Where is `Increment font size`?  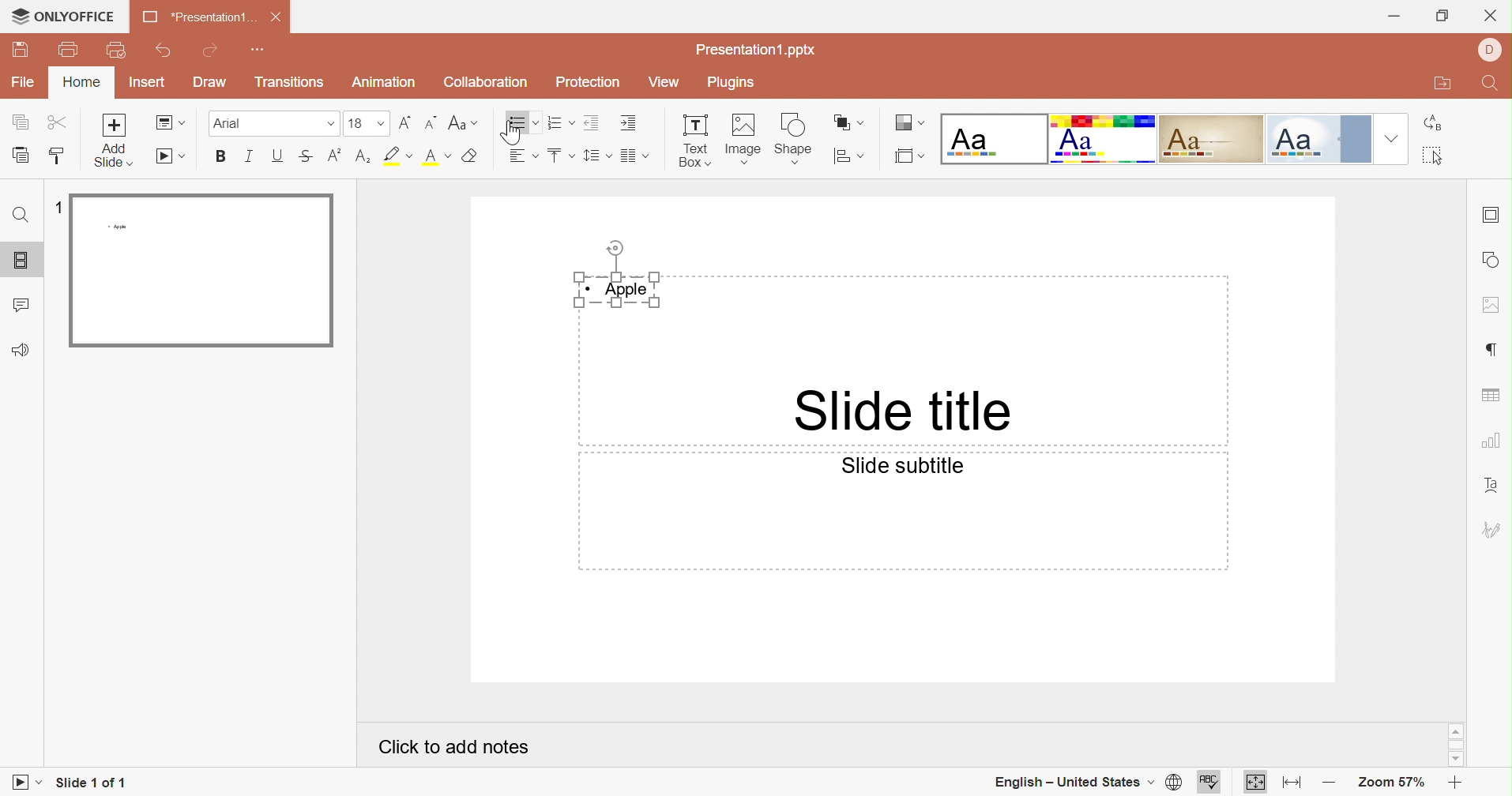
Increment font size is located at coordinates (405, 122).